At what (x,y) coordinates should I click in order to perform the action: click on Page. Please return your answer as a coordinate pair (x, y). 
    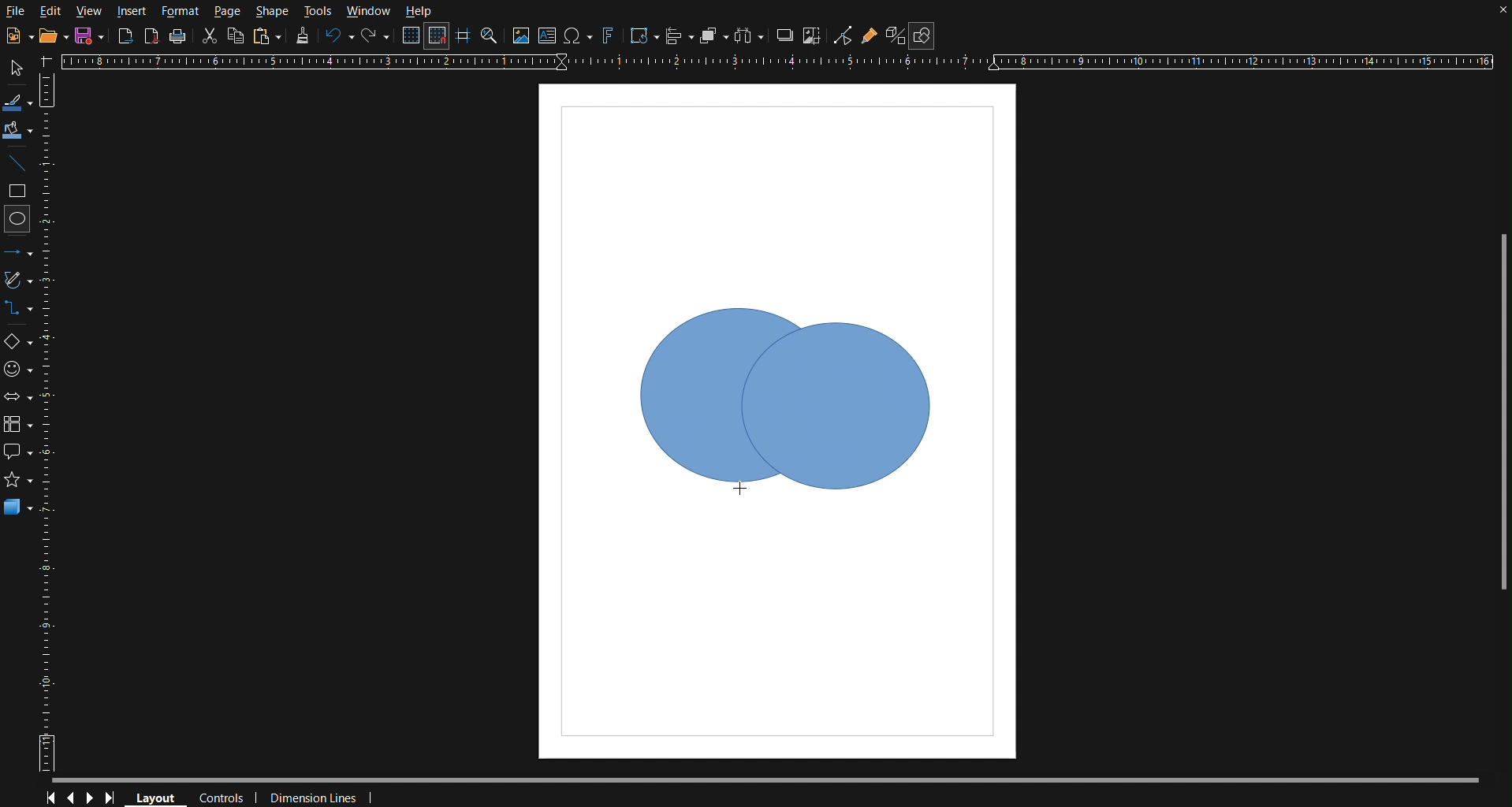
    Looking at the image, I should click on (229, 11).